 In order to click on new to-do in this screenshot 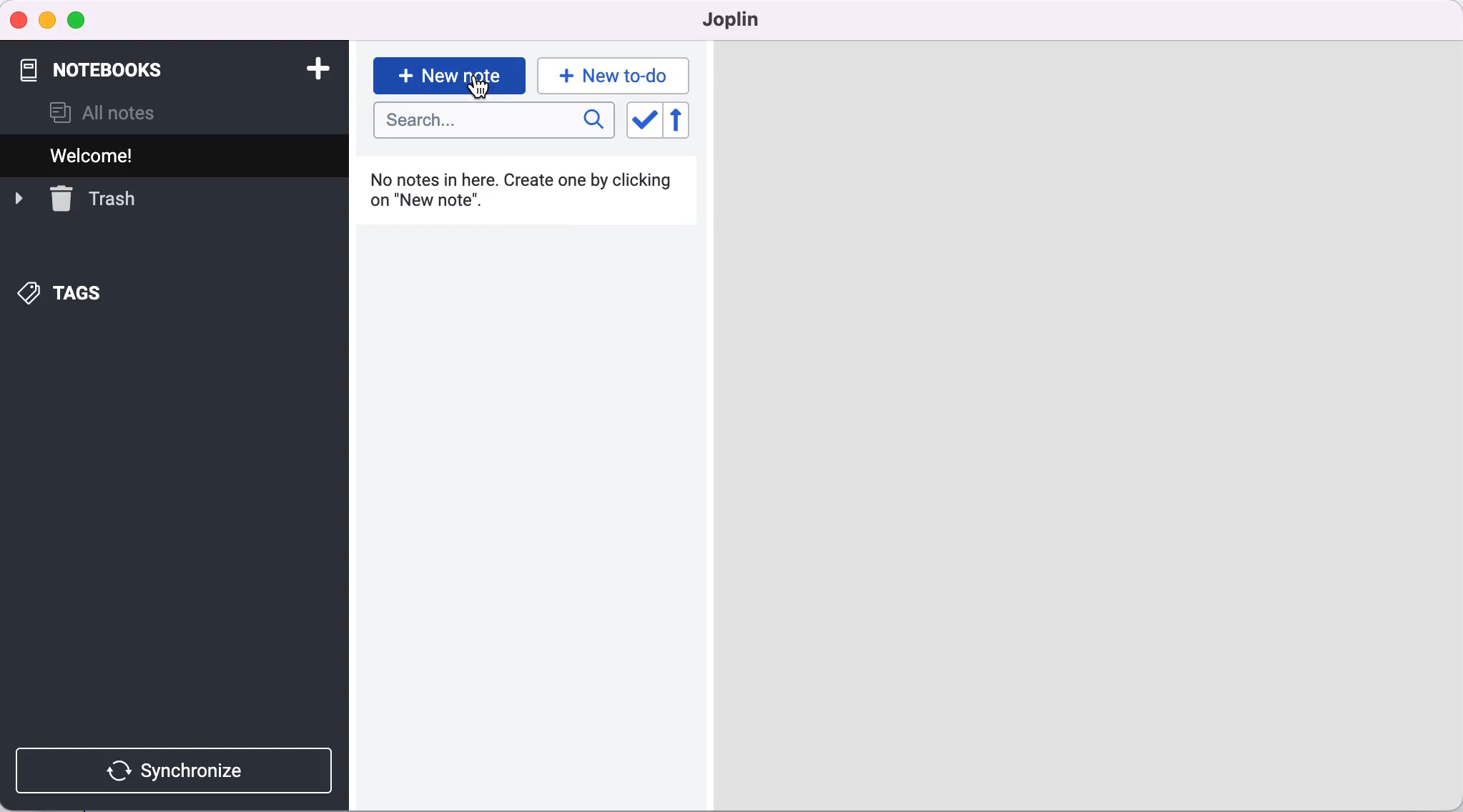, I will do `click(618, 75)`.